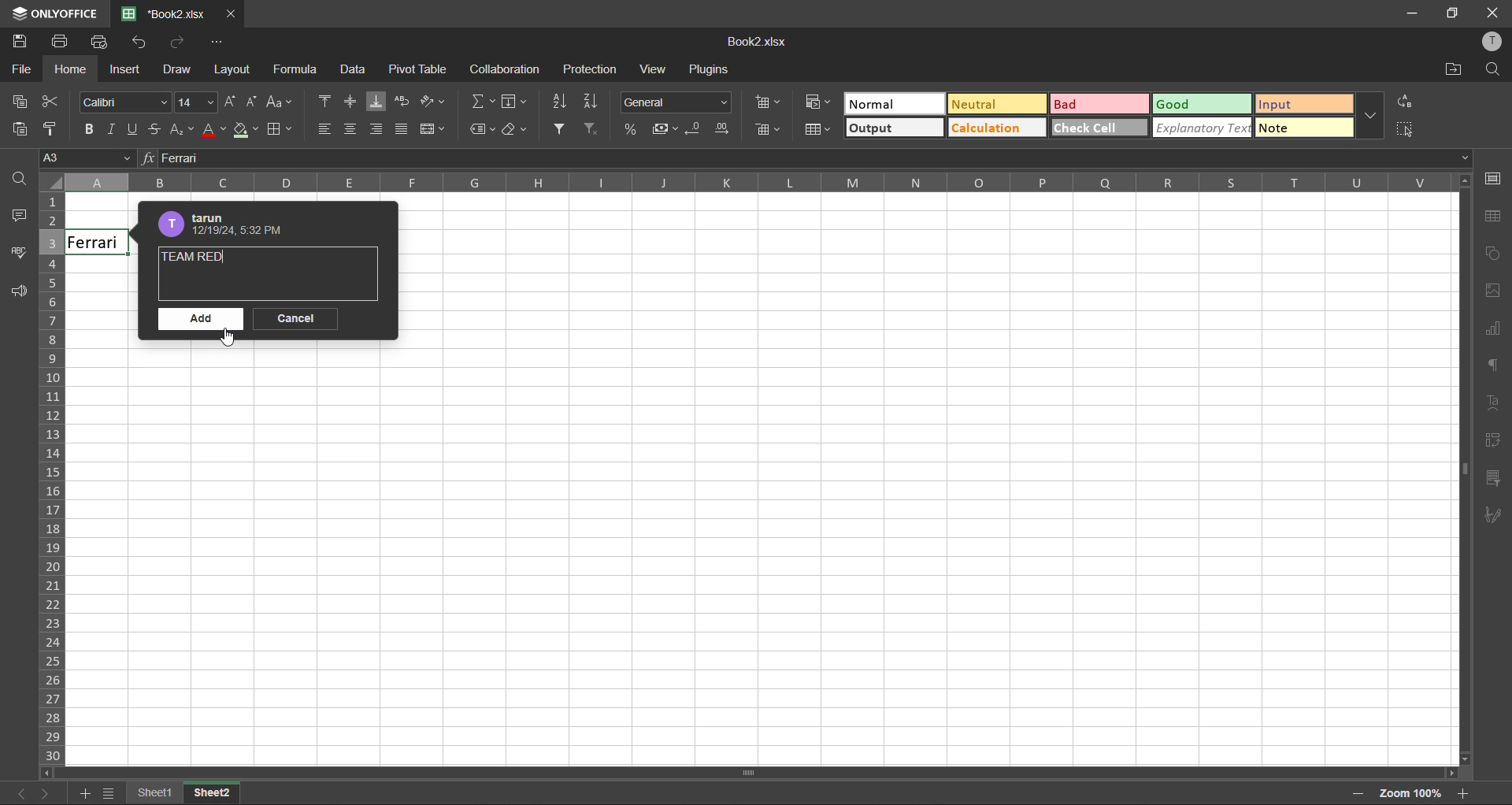 The width and height of the screenshot is (1512, 805). Describe the element at coordinates (50, 794) in the screenshot. I see `next` at that location.